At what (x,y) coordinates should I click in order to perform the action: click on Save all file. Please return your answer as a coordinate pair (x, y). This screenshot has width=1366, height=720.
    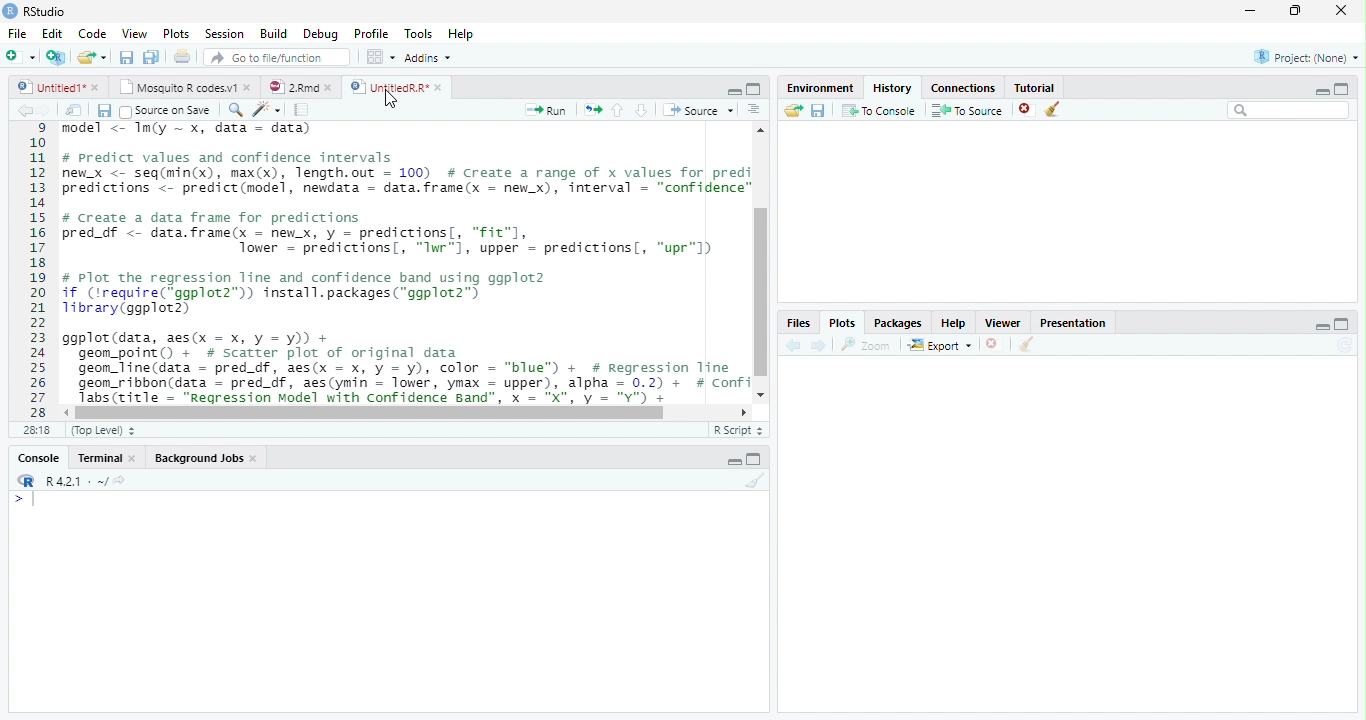
    Looking at the image, I should click on (150, 58).